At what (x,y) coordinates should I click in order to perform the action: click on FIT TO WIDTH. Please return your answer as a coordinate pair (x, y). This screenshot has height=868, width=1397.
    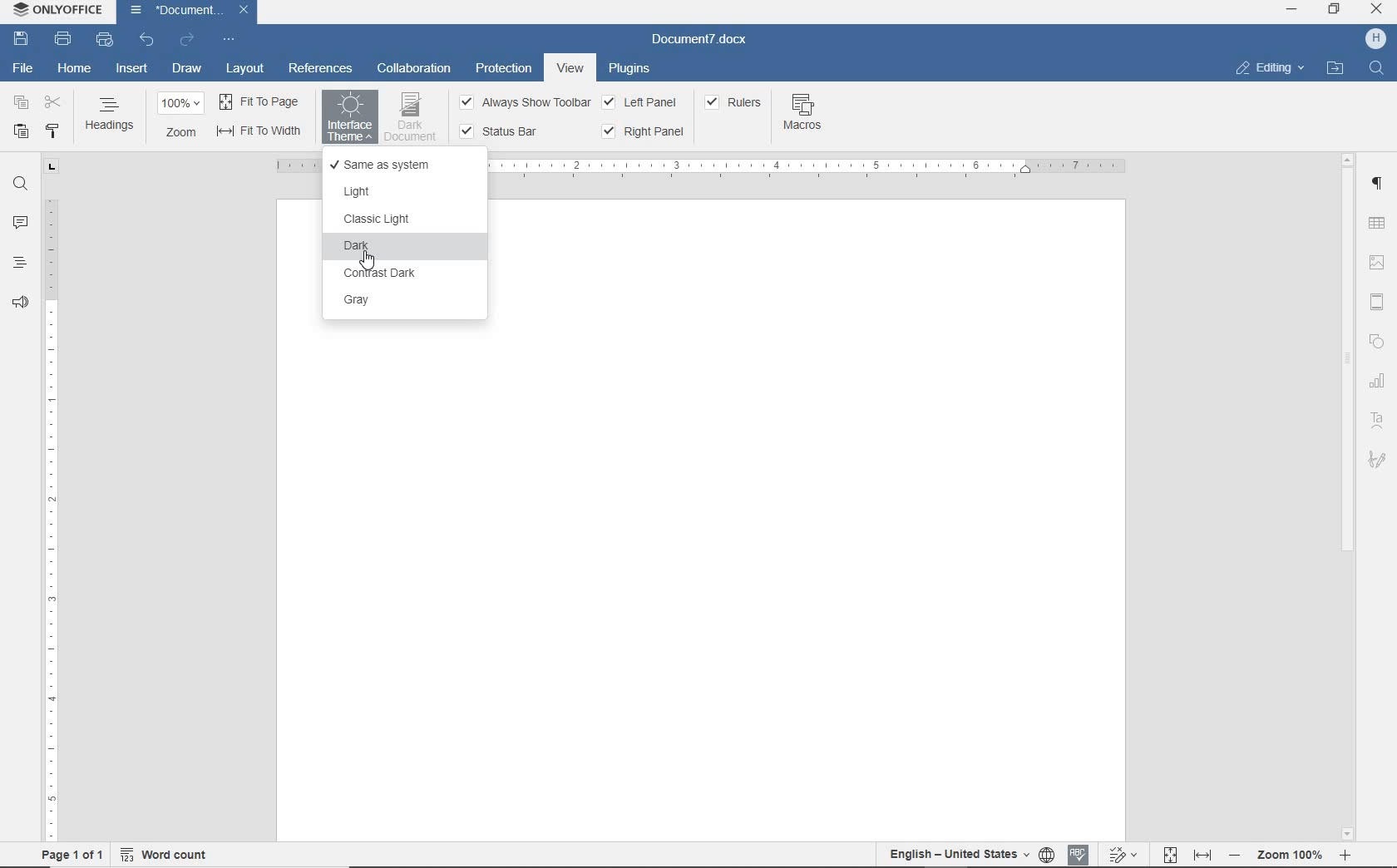
    Looking at the image, I should click on (259, 133).